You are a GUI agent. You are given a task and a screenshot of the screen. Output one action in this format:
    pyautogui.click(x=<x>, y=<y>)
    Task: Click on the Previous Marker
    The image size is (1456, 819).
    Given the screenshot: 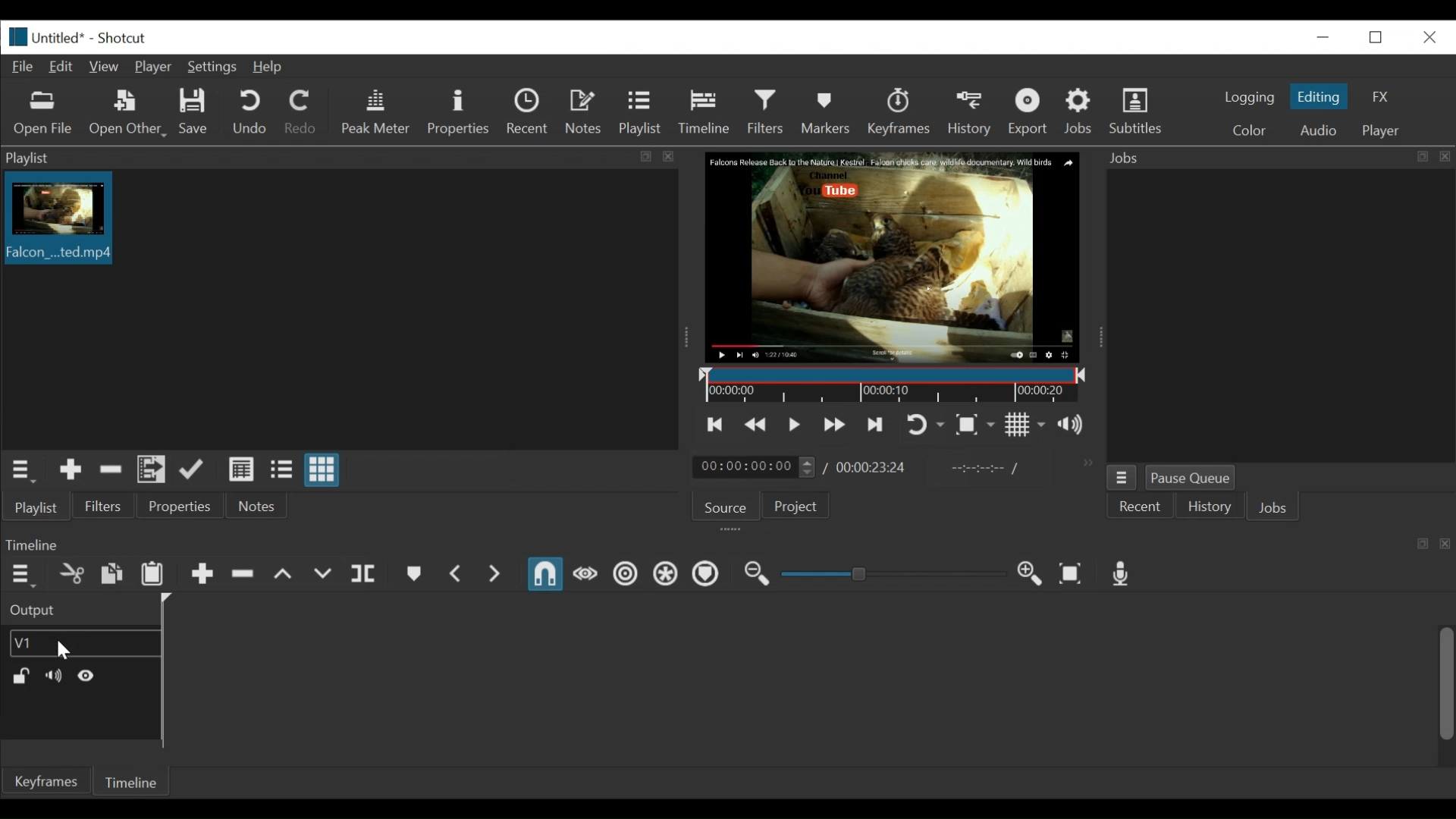 What is the action you would take?
    pyautogui.click(x=457, y=574)
    